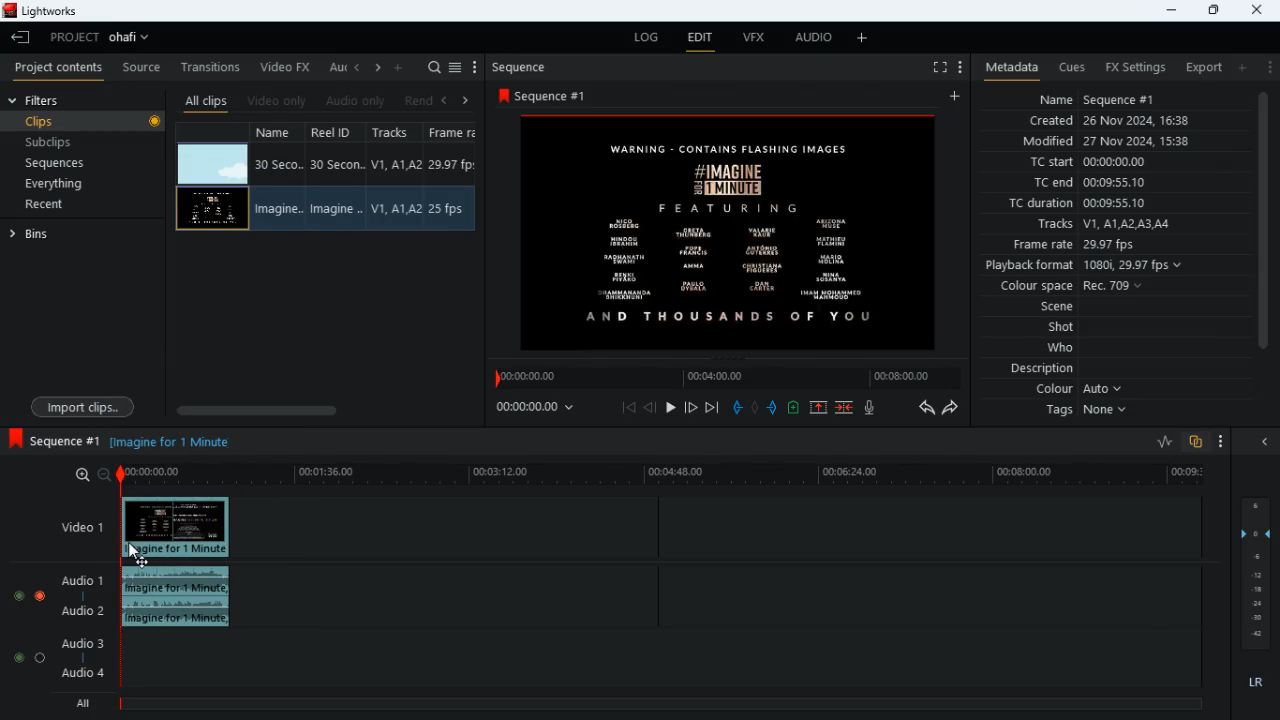  I want to click on audio only, so click(358, 99).